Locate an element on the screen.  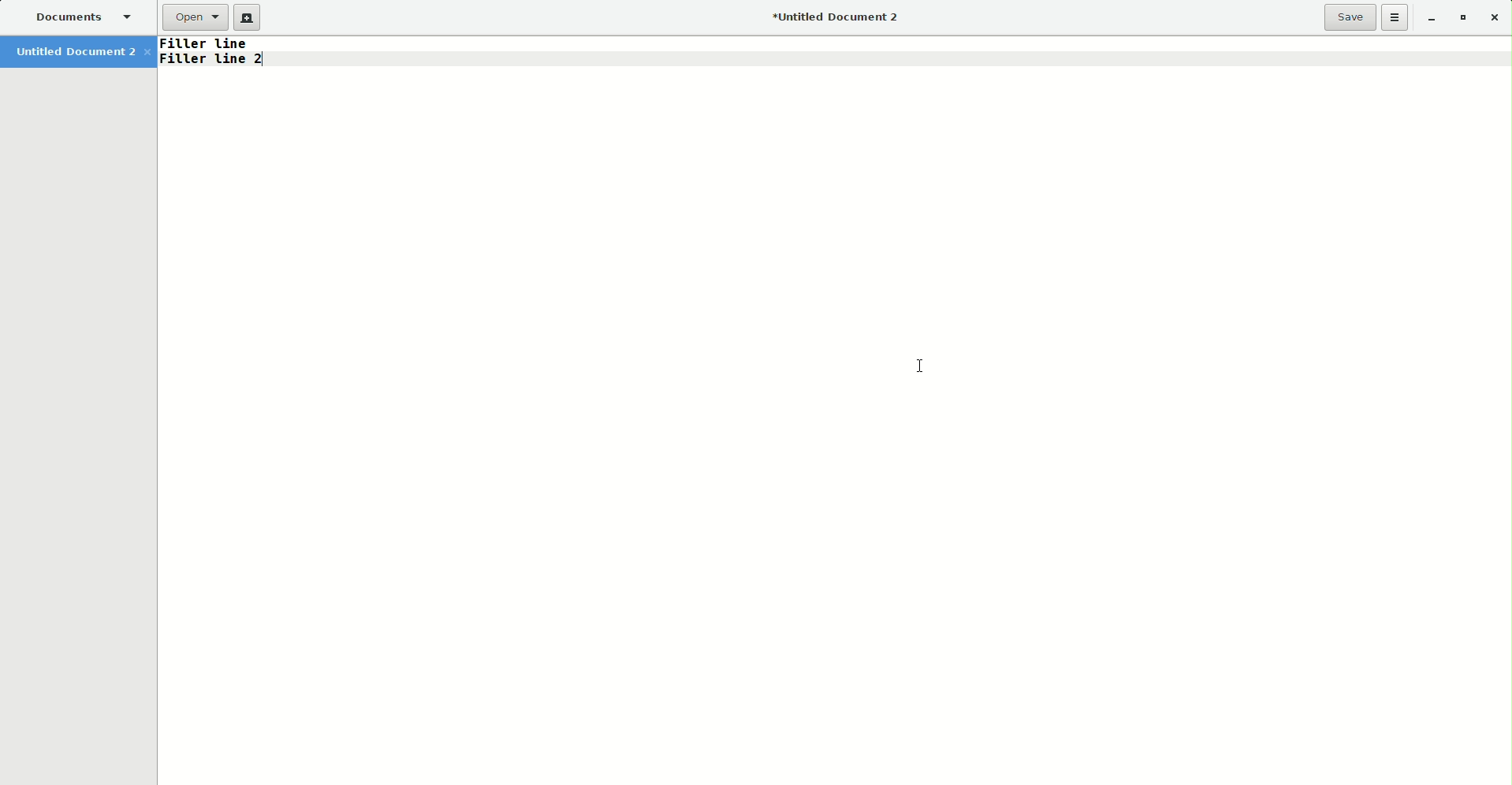
Save is located at coordinates (1350, 17).